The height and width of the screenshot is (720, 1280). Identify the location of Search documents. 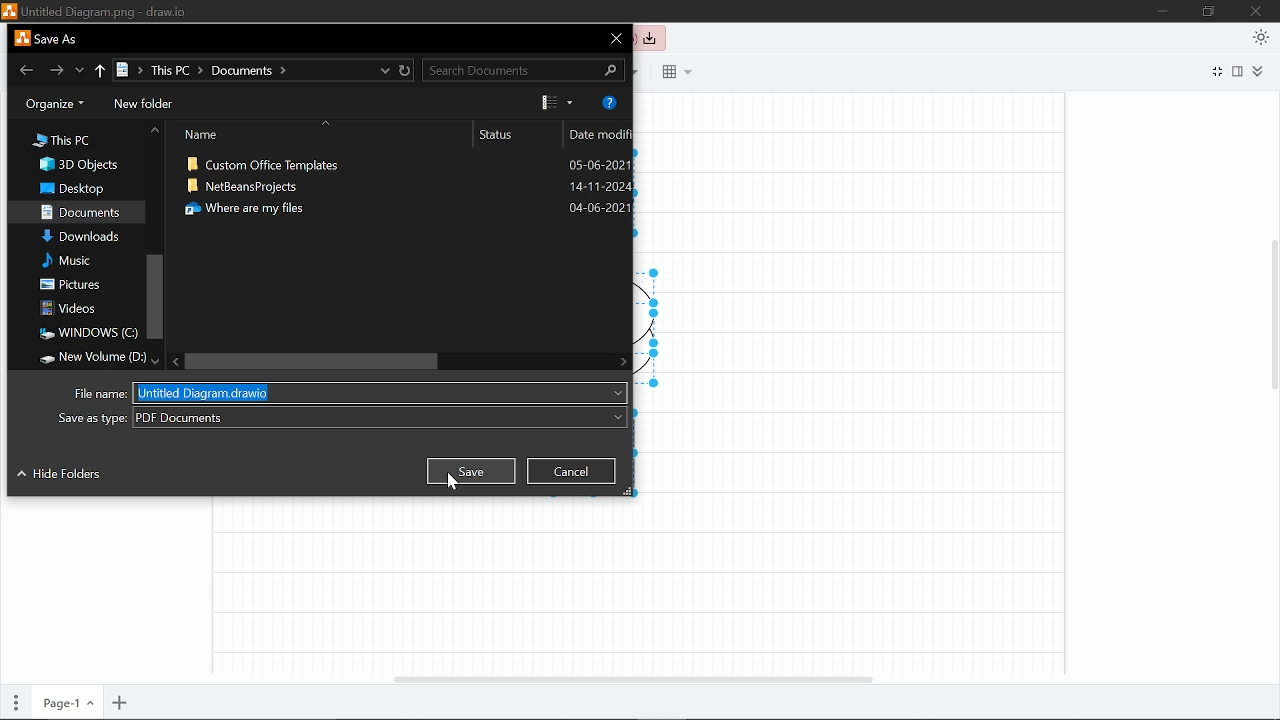
(524, 69).